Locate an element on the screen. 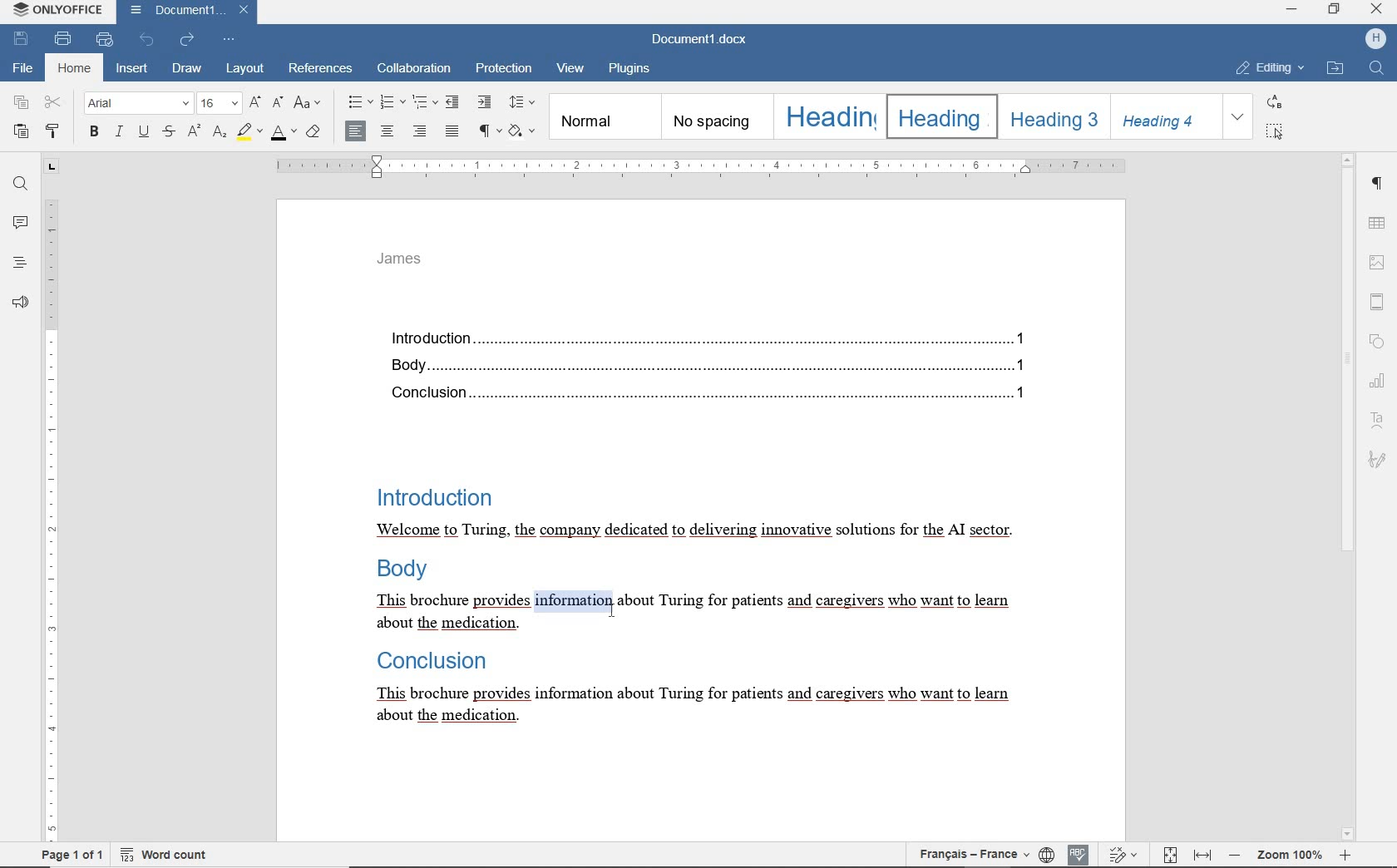  SCROLLBAR is located at coordinates (1348, 496).